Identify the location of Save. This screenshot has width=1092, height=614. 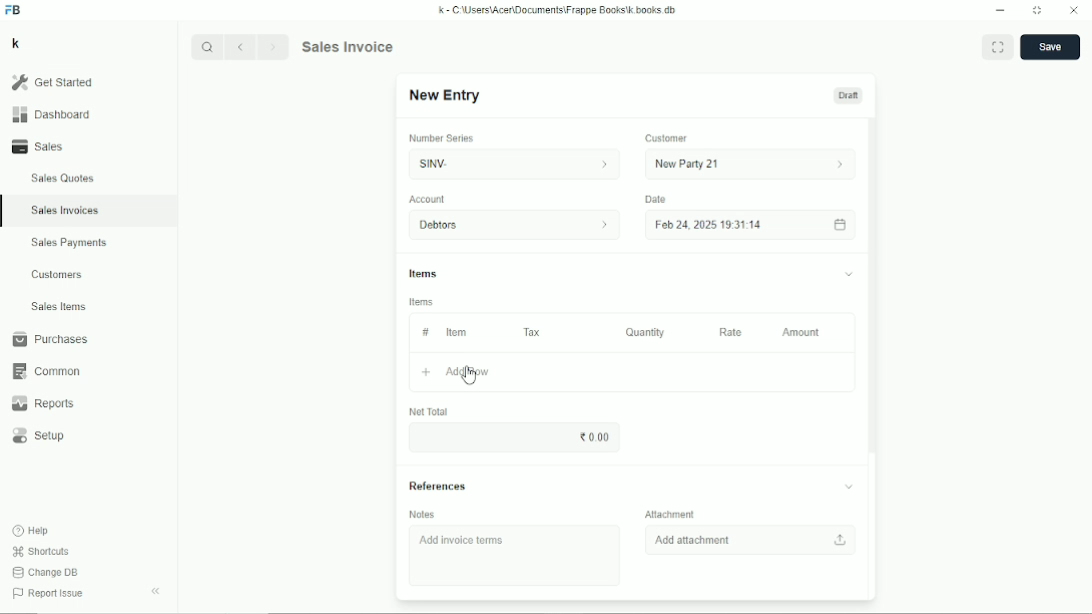
(1050, 47).